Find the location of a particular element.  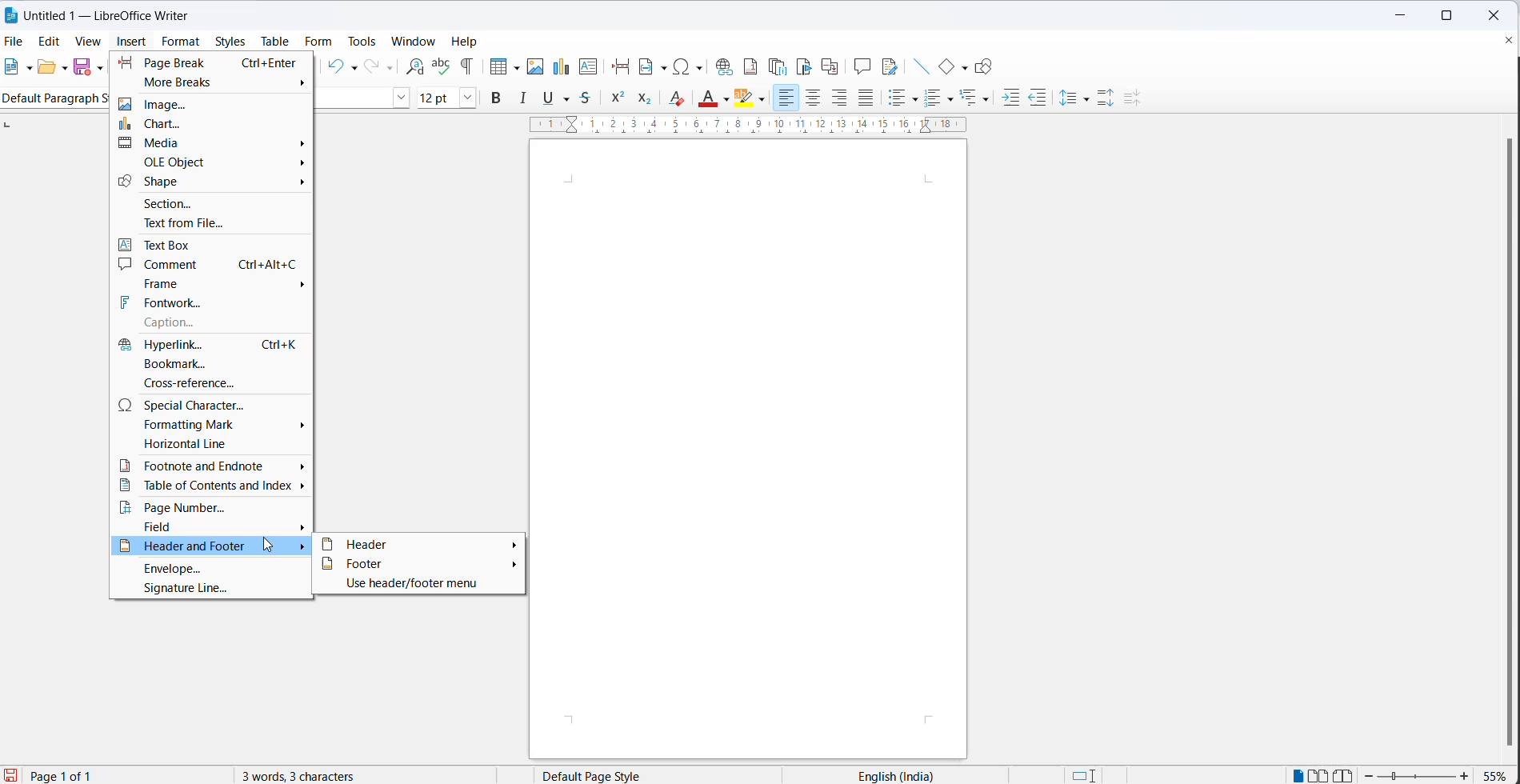

open is located at coordinates (44, 68).